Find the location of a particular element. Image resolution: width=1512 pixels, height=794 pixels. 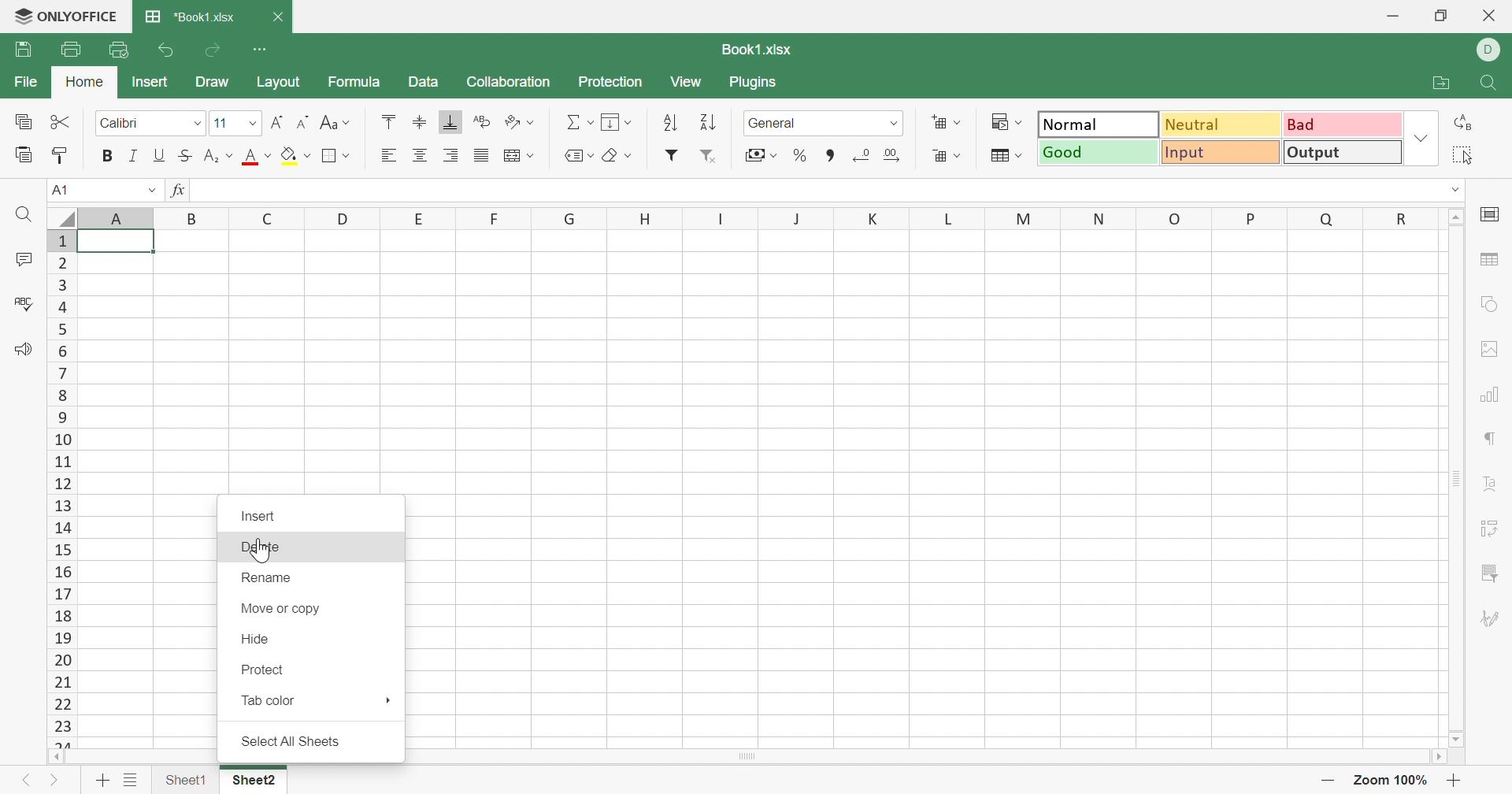

Close is located at coordinates (1492, 18).